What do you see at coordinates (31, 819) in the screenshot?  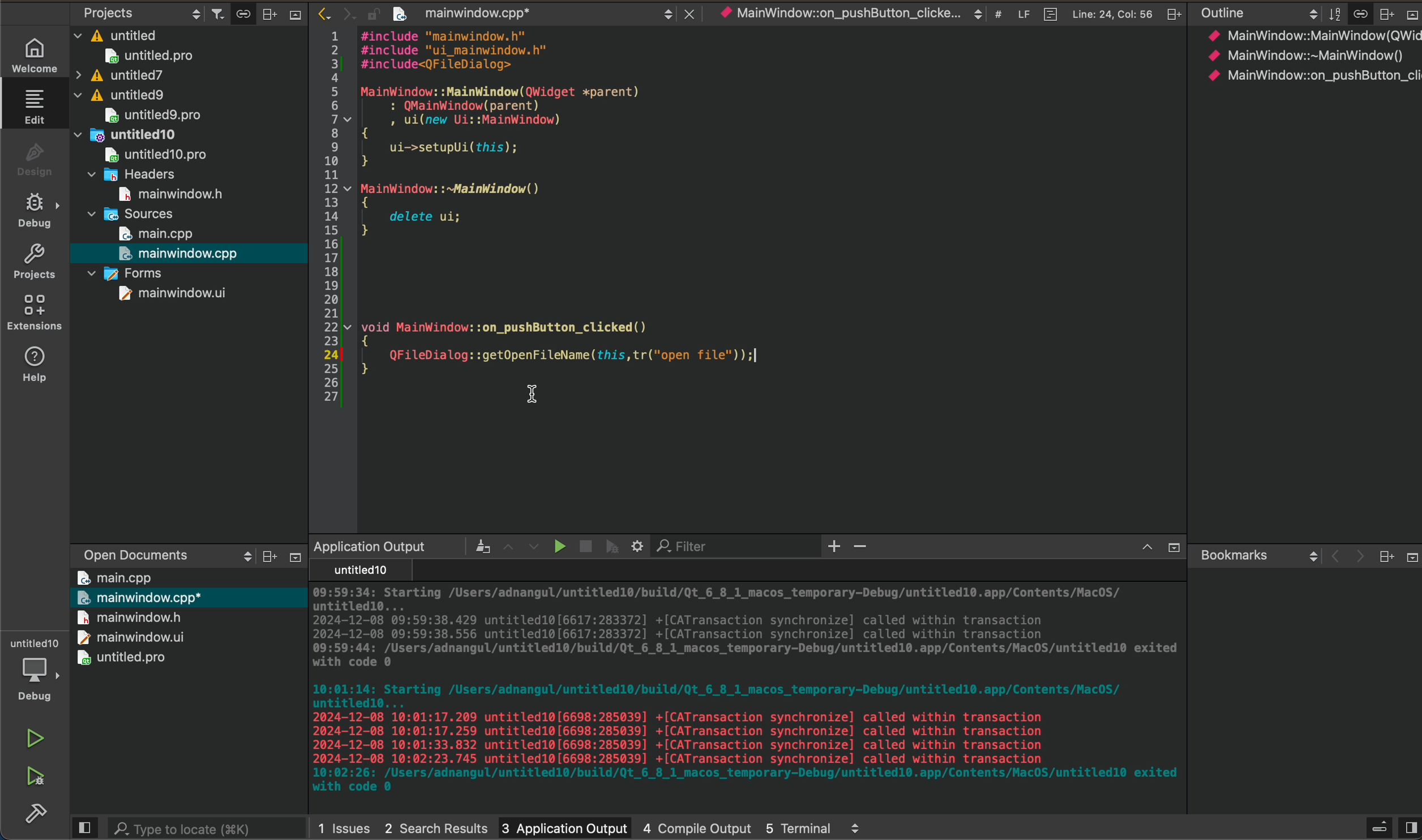 I see `build` at bounding box center [31, 819].